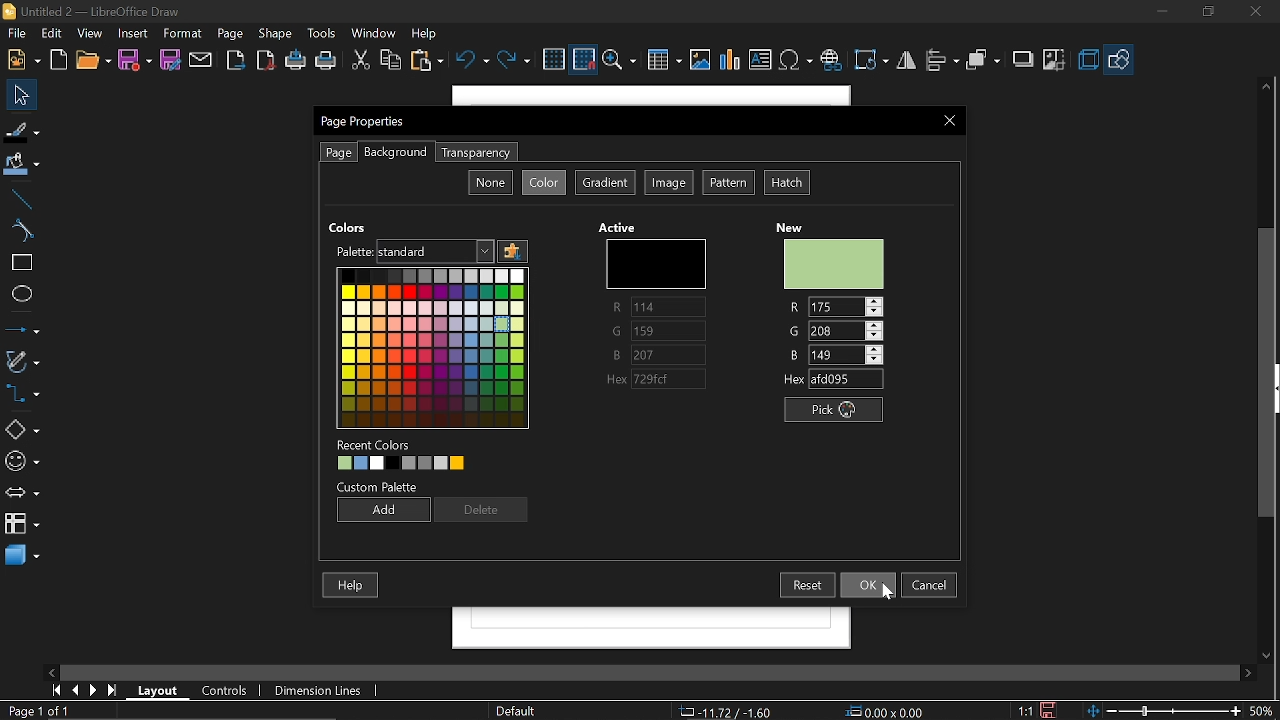  What do you see at coordinates (1160, 14) in the screenshot?
I see `Miniimize` at bounding box center [1160, 14].